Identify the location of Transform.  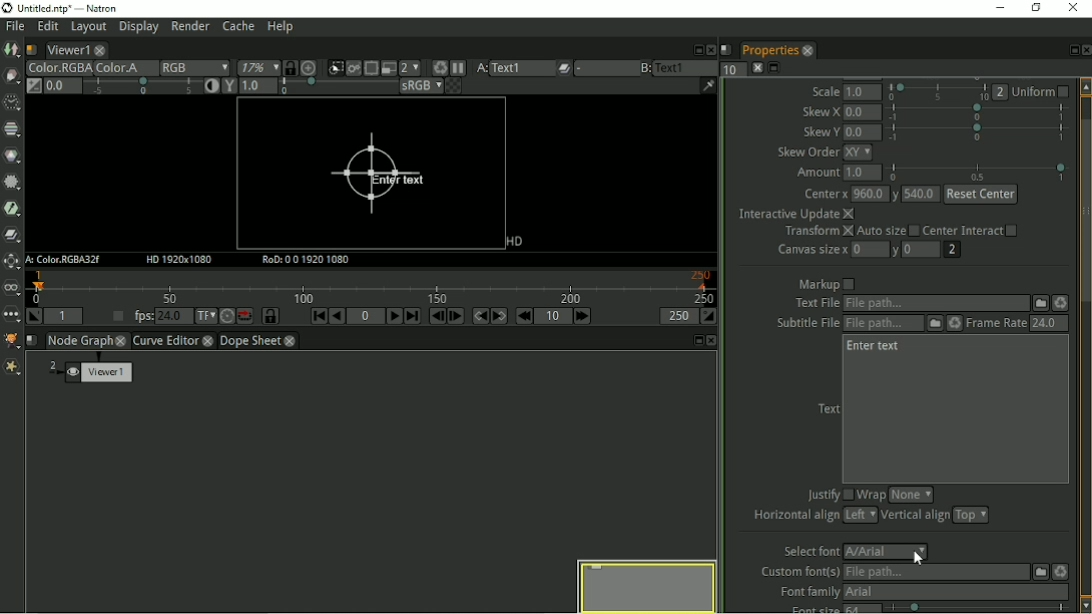
(11, 262).